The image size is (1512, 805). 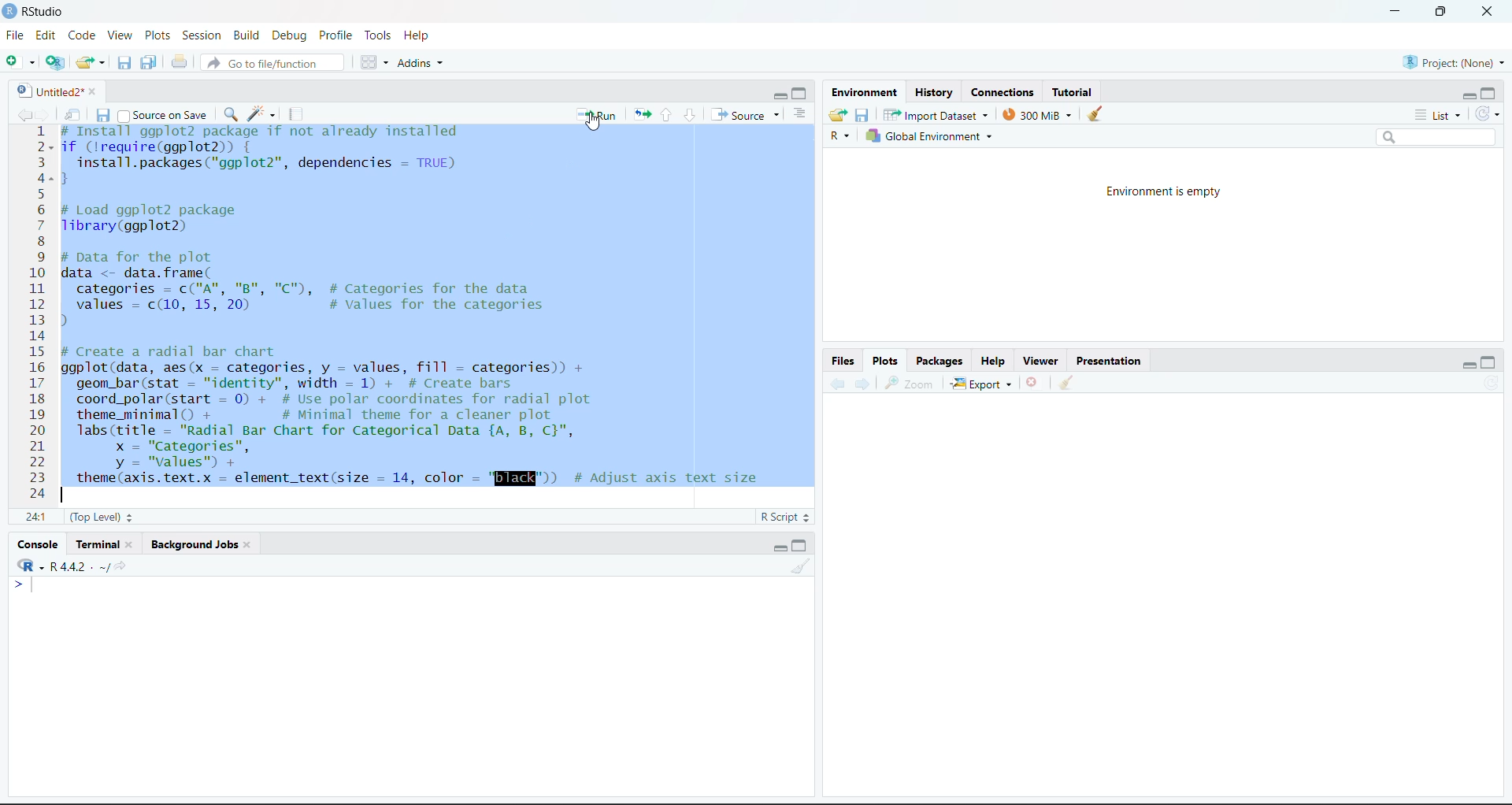 What do you see at coordinates (81, 37) in the screenshot?
I see `Code` at bounding box center [81, 37].